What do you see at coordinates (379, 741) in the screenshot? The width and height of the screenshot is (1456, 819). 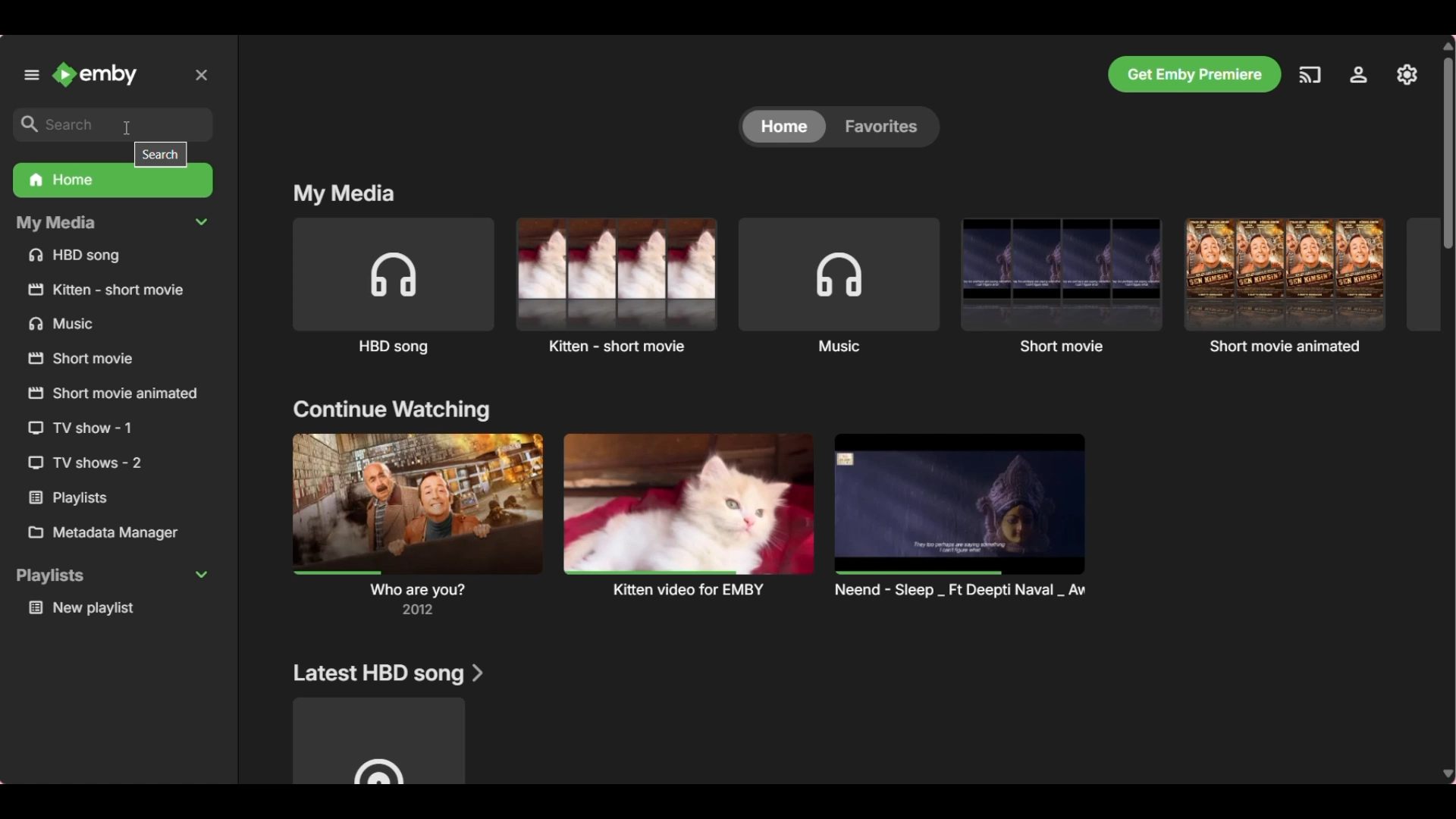 I see `Media under above mentioned section` at bounding box center [379, 741].